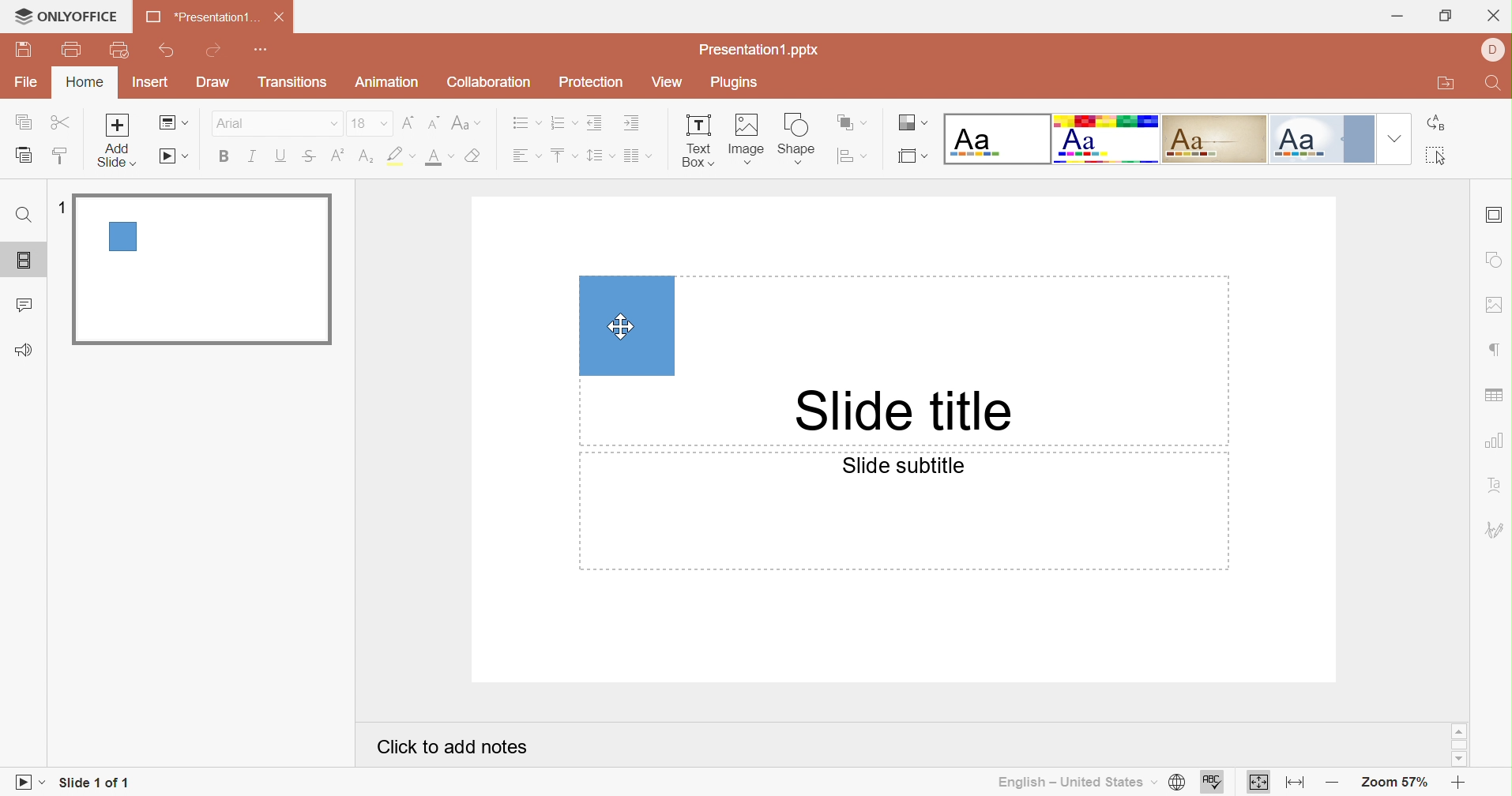  Describe the element at coordinates (1296, 784) in the screenshot. I see `Fit to width` at that location.